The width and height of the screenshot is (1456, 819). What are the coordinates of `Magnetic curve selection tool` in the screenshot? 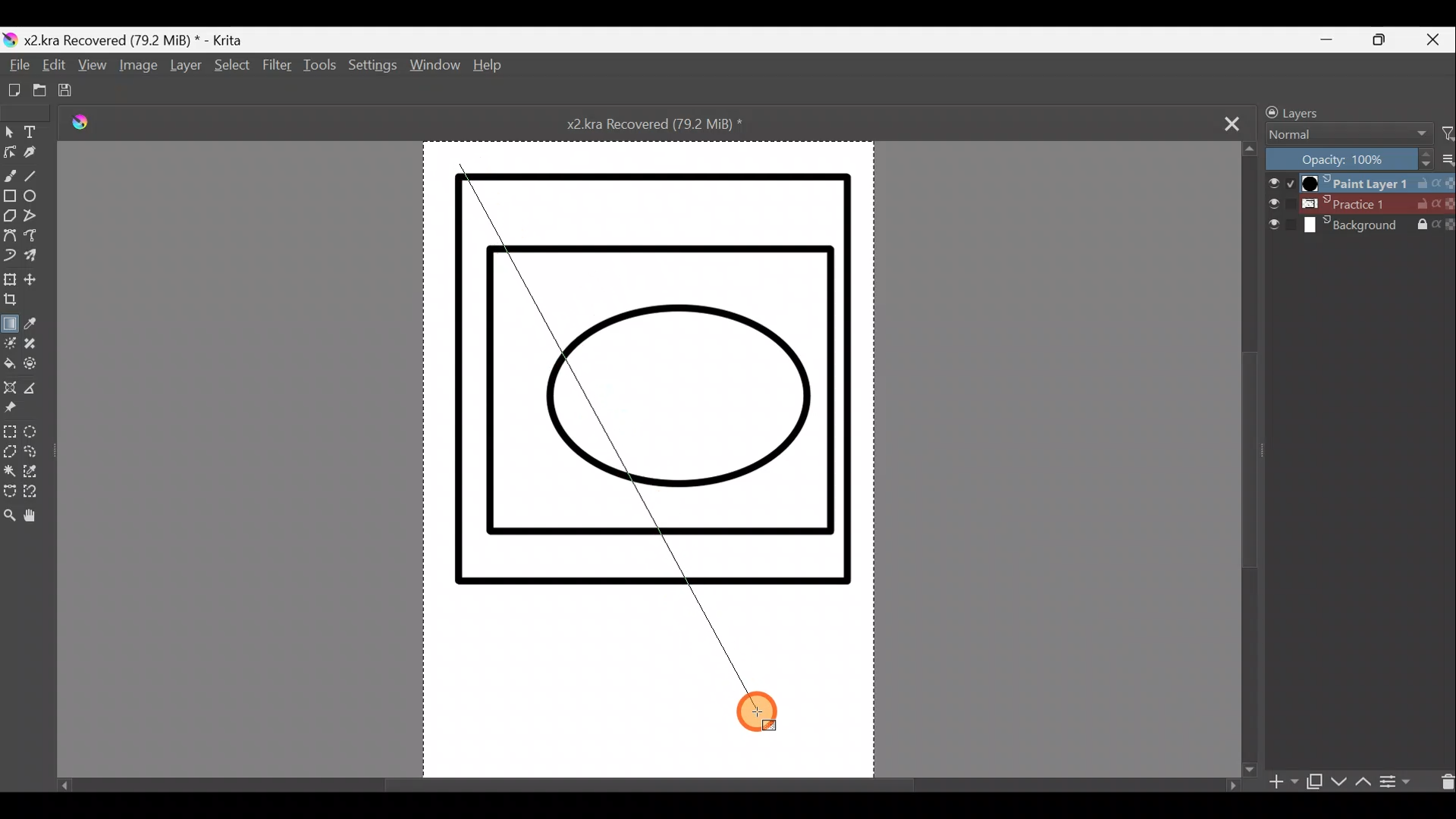 It's located at (33, 498).